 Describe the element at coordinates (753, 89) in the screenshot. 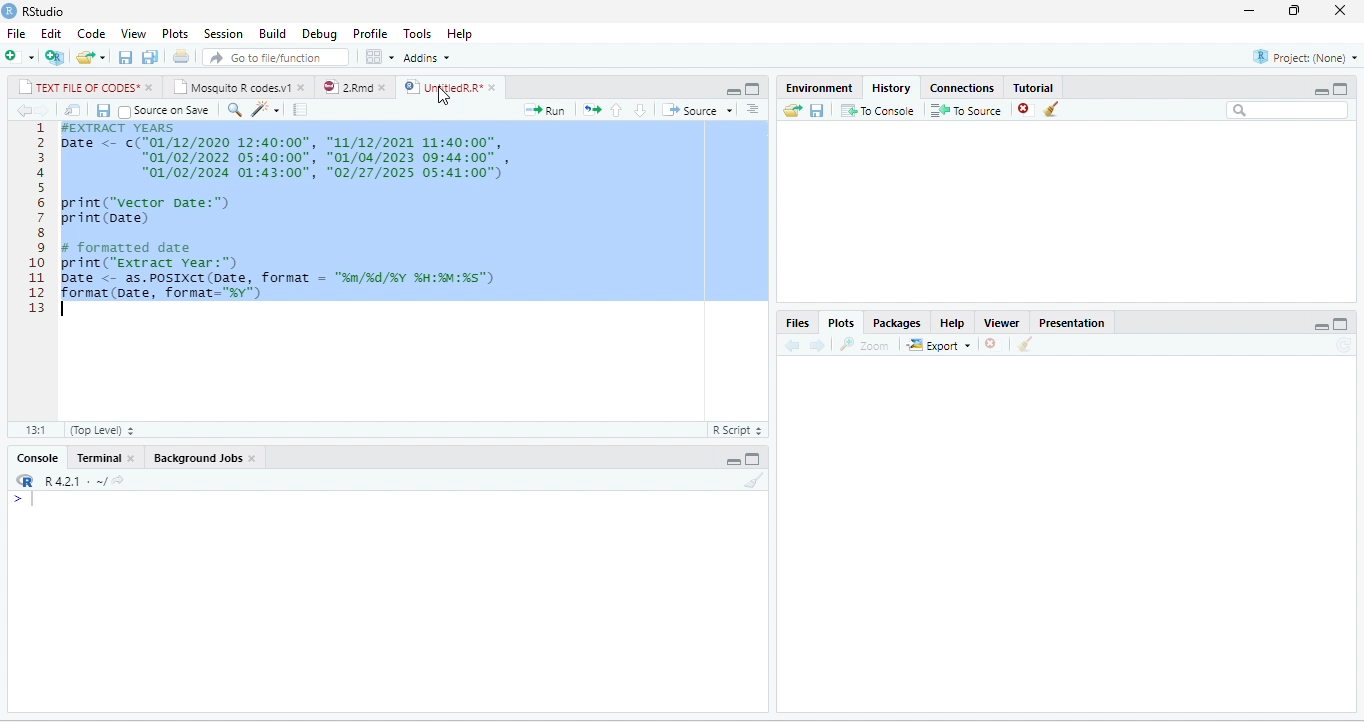

I see `maximize` at that location.